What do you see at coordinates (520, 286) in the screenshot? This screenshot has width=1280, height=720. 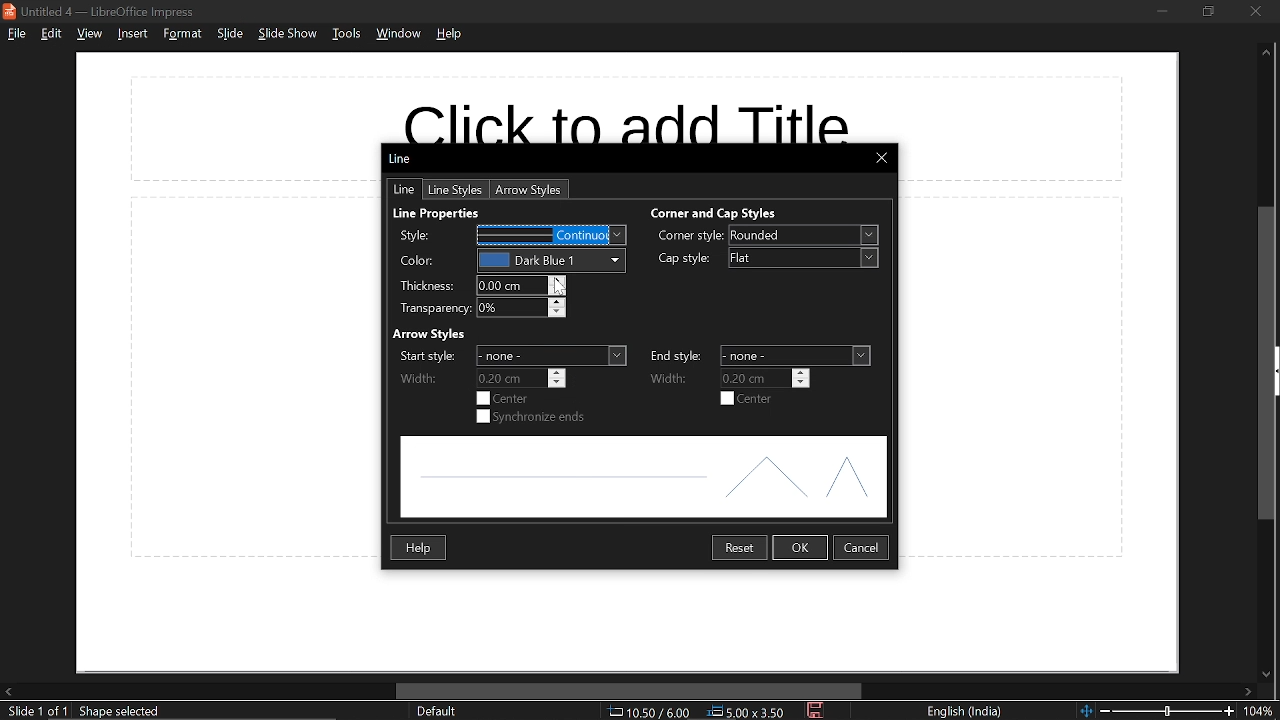 I see `thickness` at bounding box center [520, 286].